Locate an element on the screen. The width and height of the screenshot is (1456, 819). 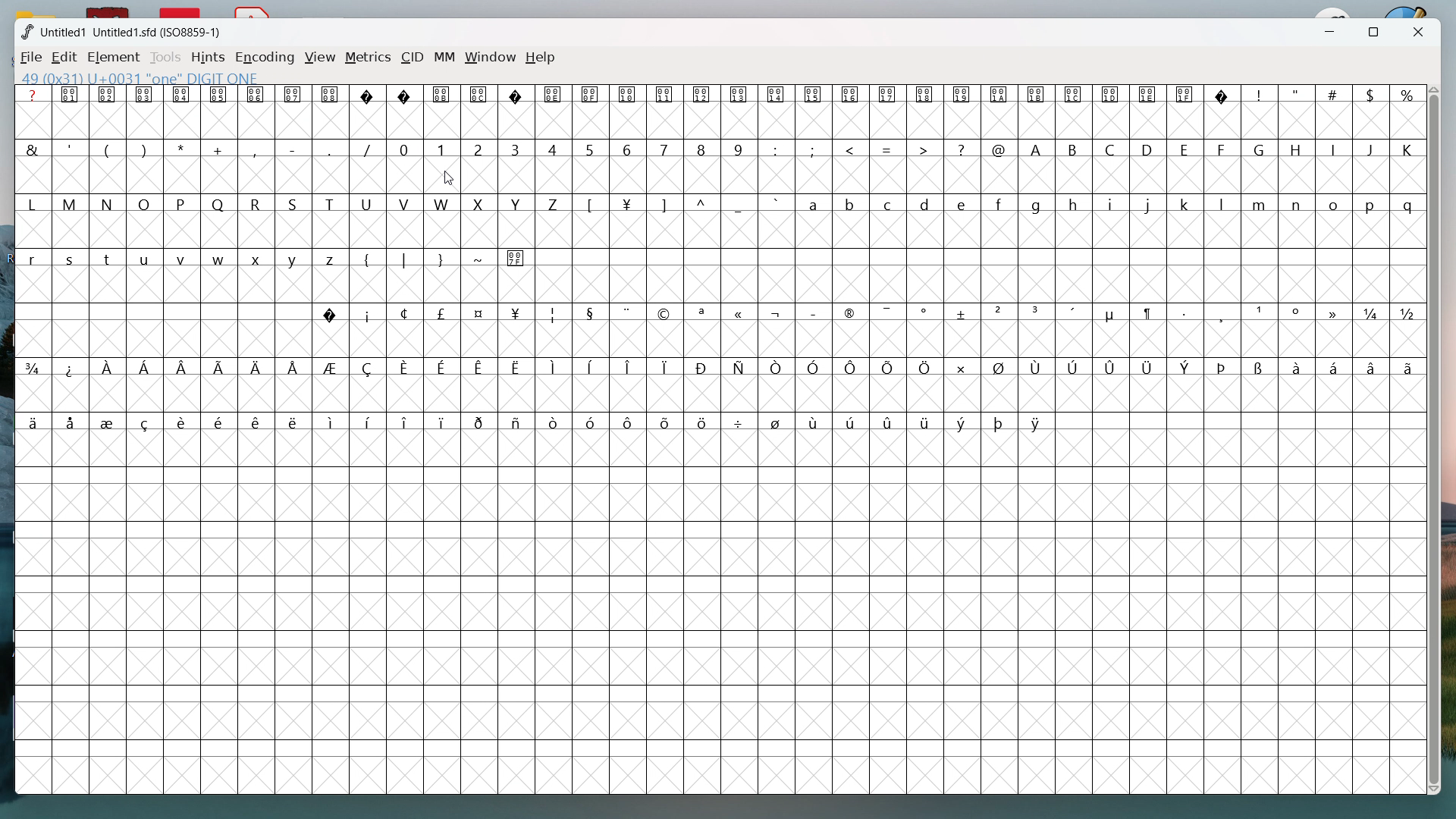
symbol is located at coordinates (220, 368).